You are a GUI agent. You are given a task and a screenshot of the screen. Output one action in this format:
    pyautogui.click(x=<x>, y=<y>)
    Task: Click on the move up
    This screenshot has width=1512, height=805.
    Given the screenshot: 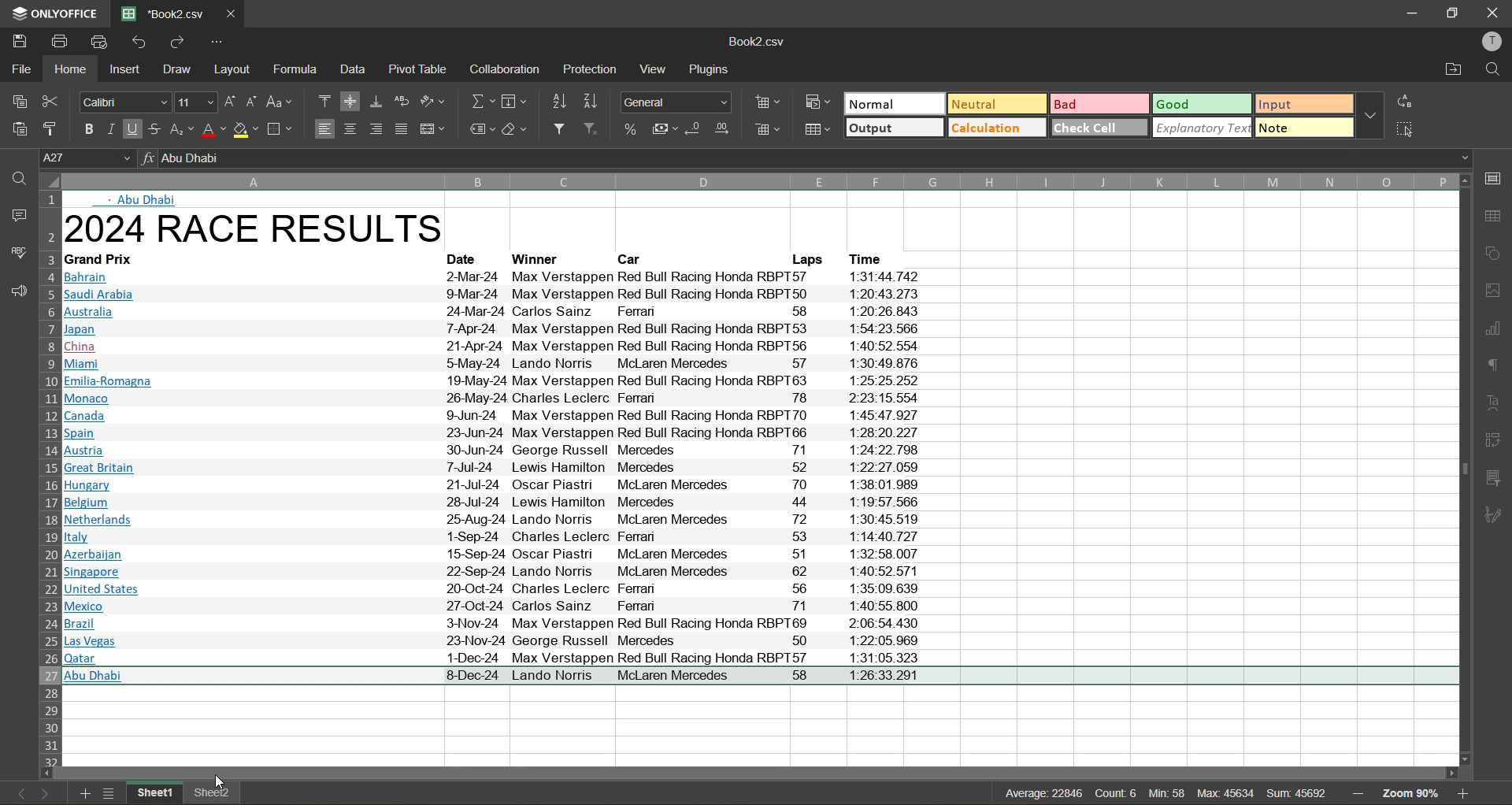 What is the action you would take?
    pyautogui.click(x=1463, y=181)
    